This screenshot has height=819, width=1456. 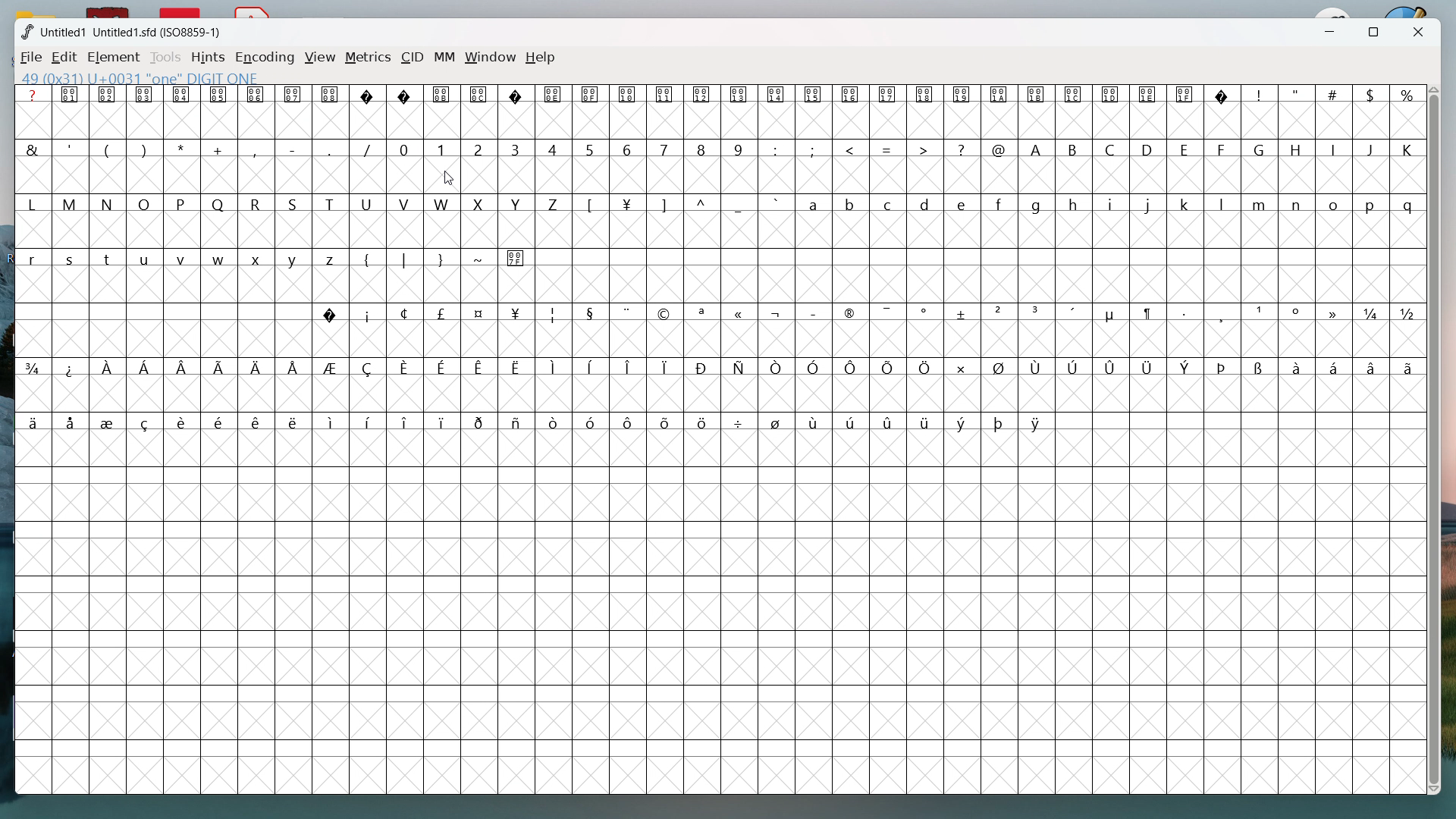 What do you see at coordinates (1110, 313) in the screenshot?
I see `symbol` at bounding box center [1110, 313].